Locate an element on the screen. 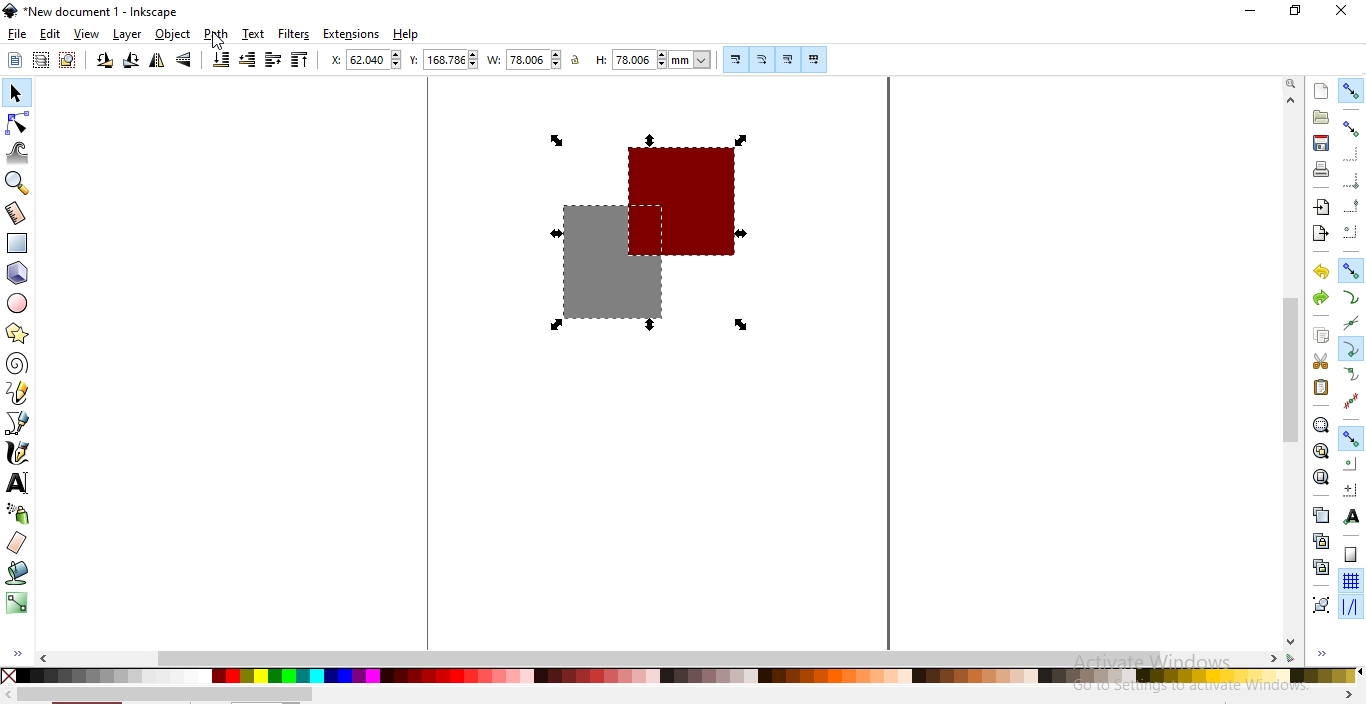 This screenshot has height=704, width=1366. layer is located at coordinates (127, 35).